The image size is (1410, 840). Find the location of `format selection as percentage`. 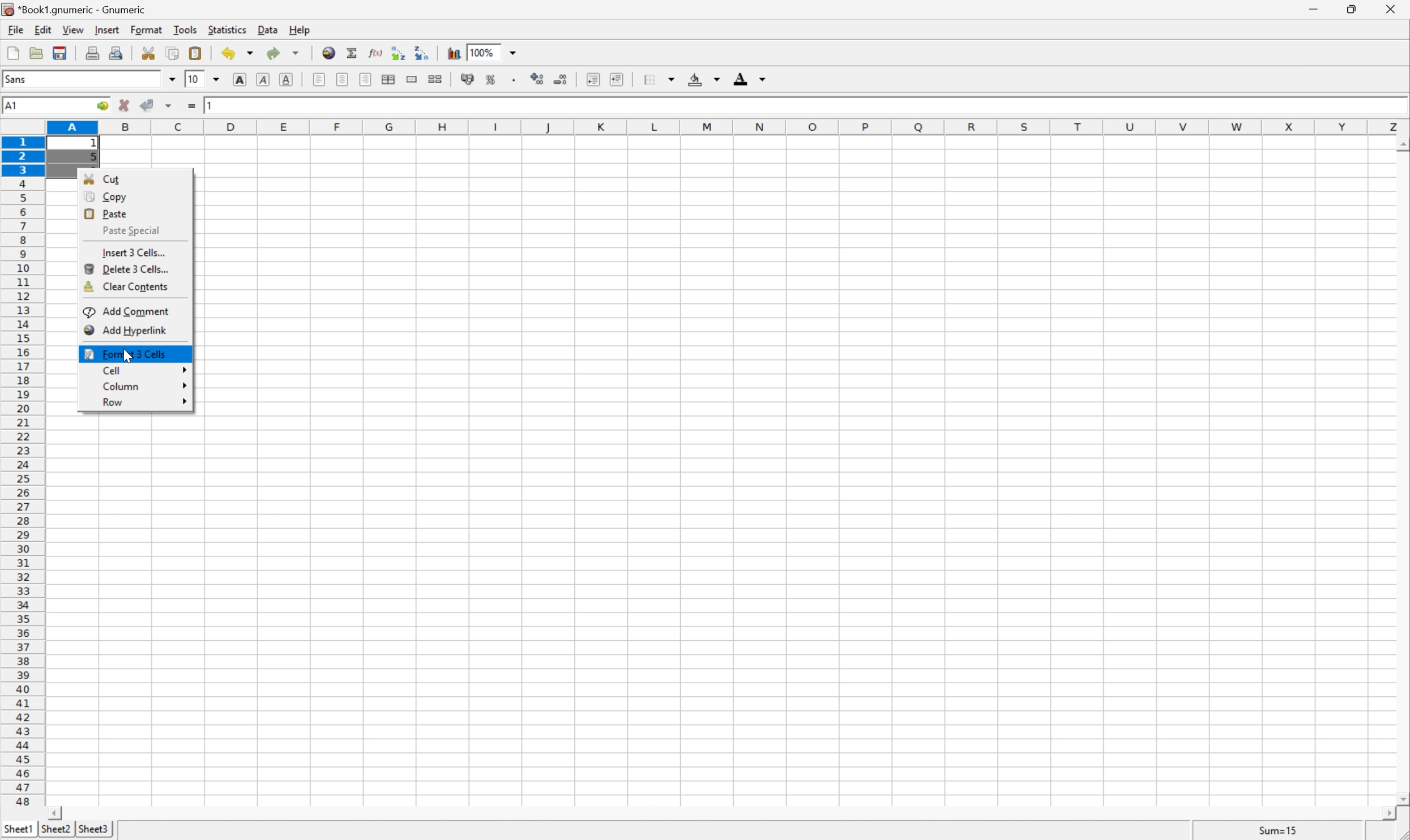

format selection as percentage is located at coordinates (491, 79).